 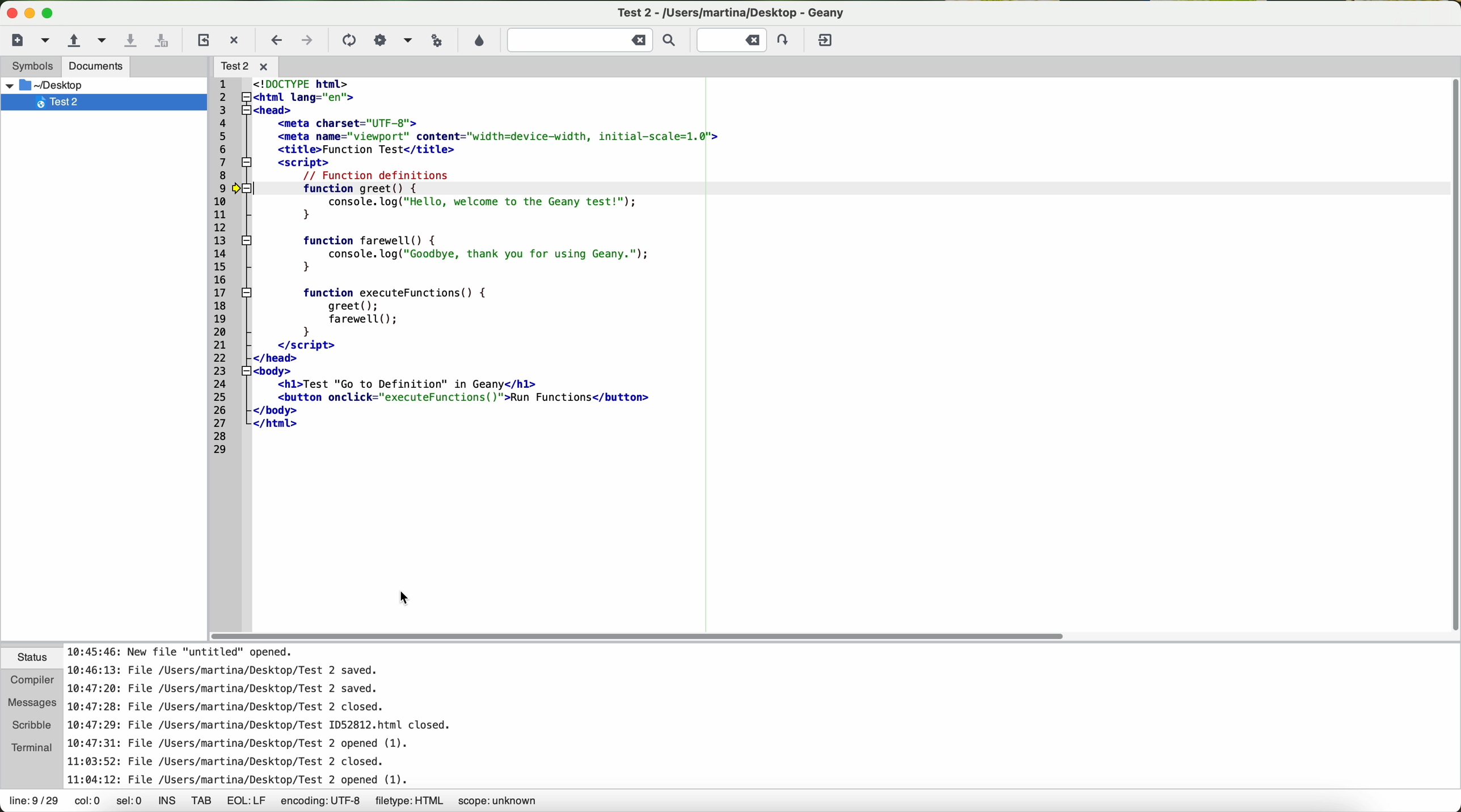 What do you see at coordinates (29, 683) in the screenshot?
I see `compiler` at bounding box center [29, 683].